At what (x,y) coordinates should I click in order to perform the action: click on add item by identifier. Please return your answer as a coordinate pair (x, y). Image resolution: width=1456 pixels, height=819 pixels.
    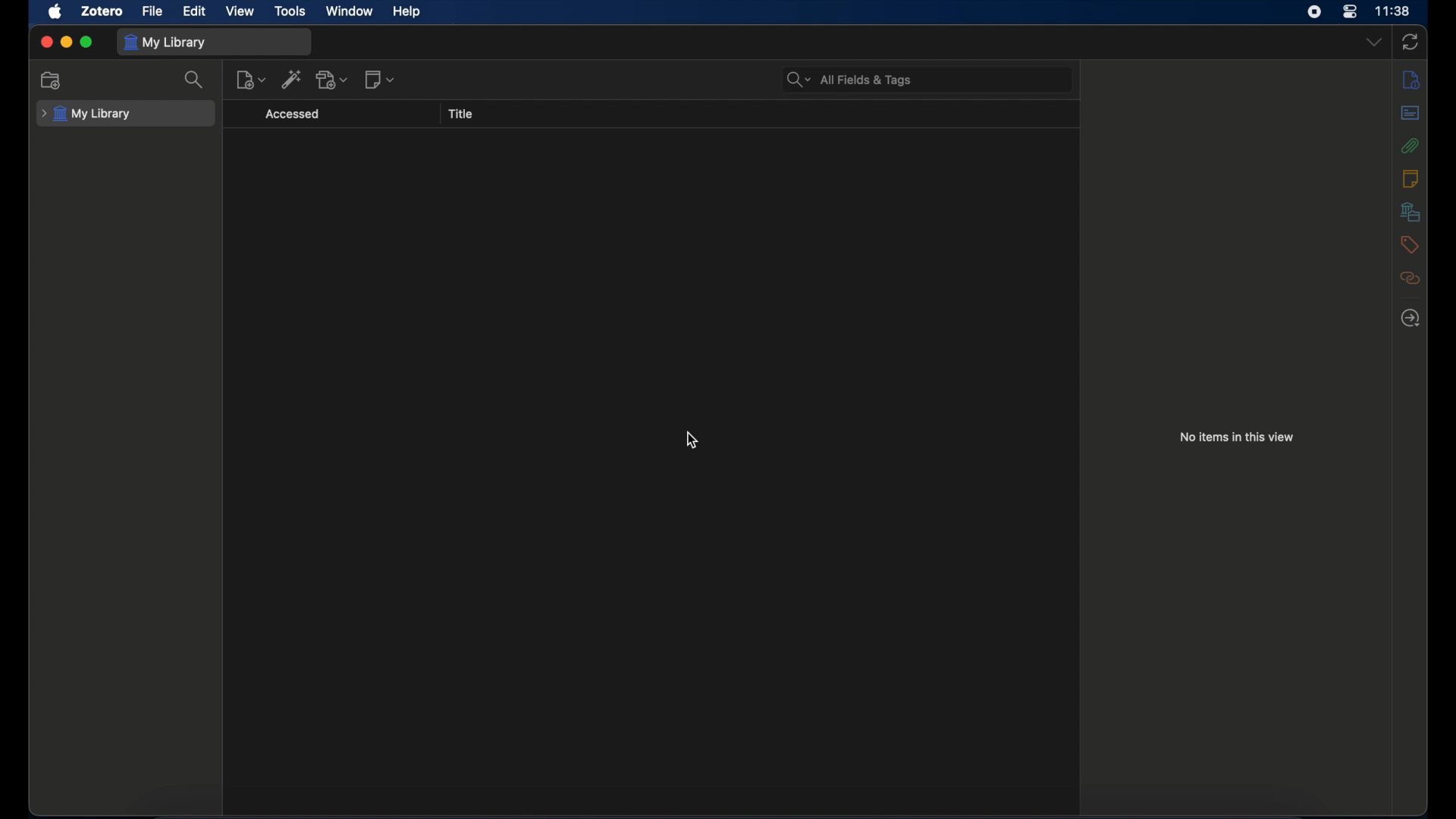
    Looking at the image, I should click on (292, 79).